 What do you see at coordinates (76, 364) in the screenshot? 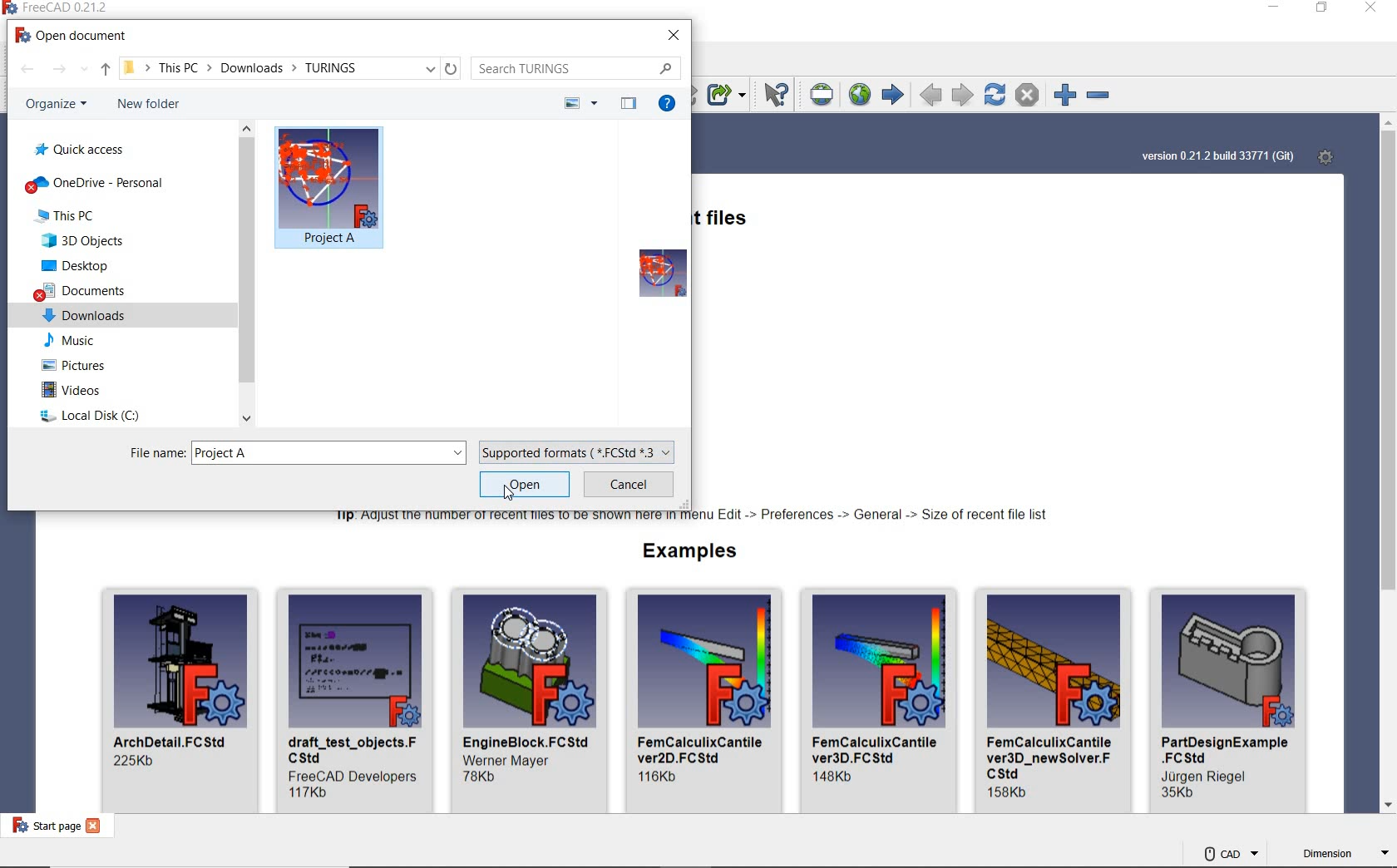
I see `pictures` at bounding box center [76, 364].